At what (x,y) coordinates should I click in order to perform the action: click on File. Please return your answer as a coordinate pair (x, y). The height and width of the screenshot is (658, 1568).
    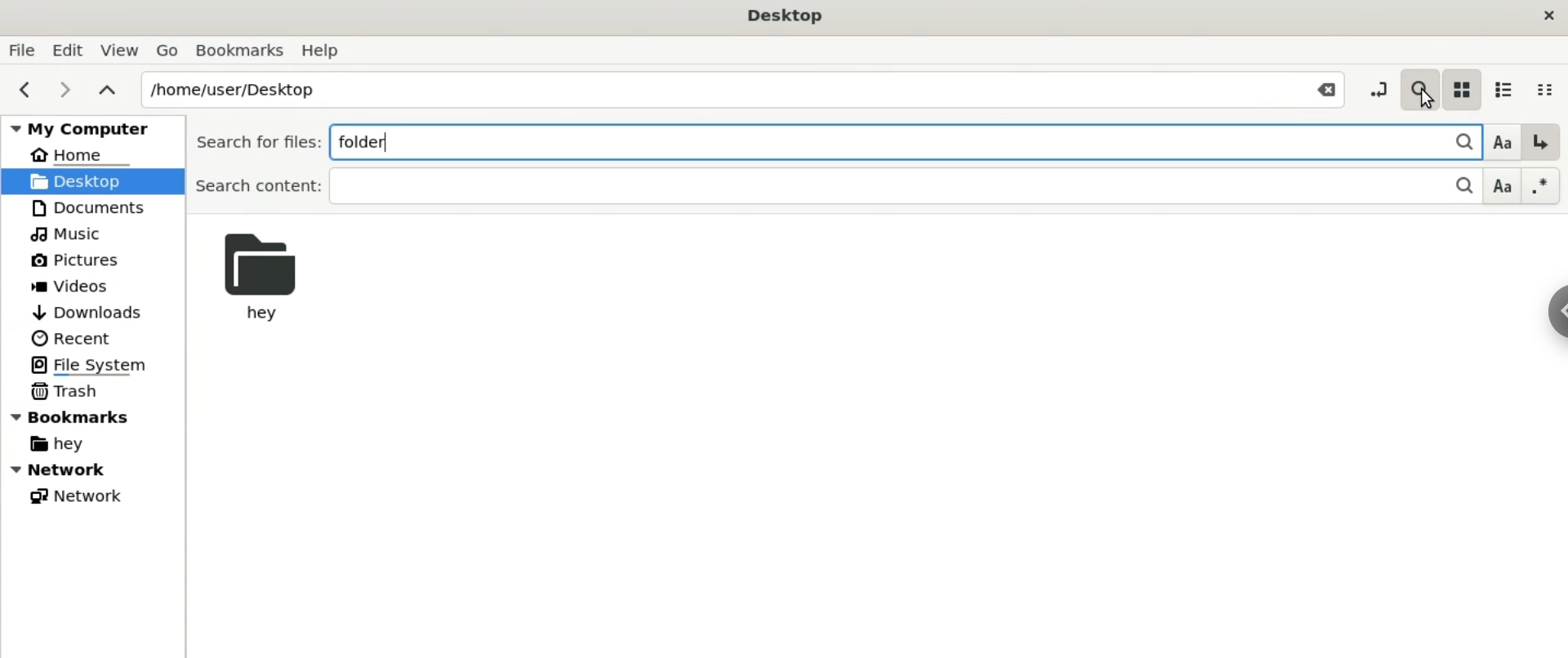
    Looking at the image, I should click on (21, 49).